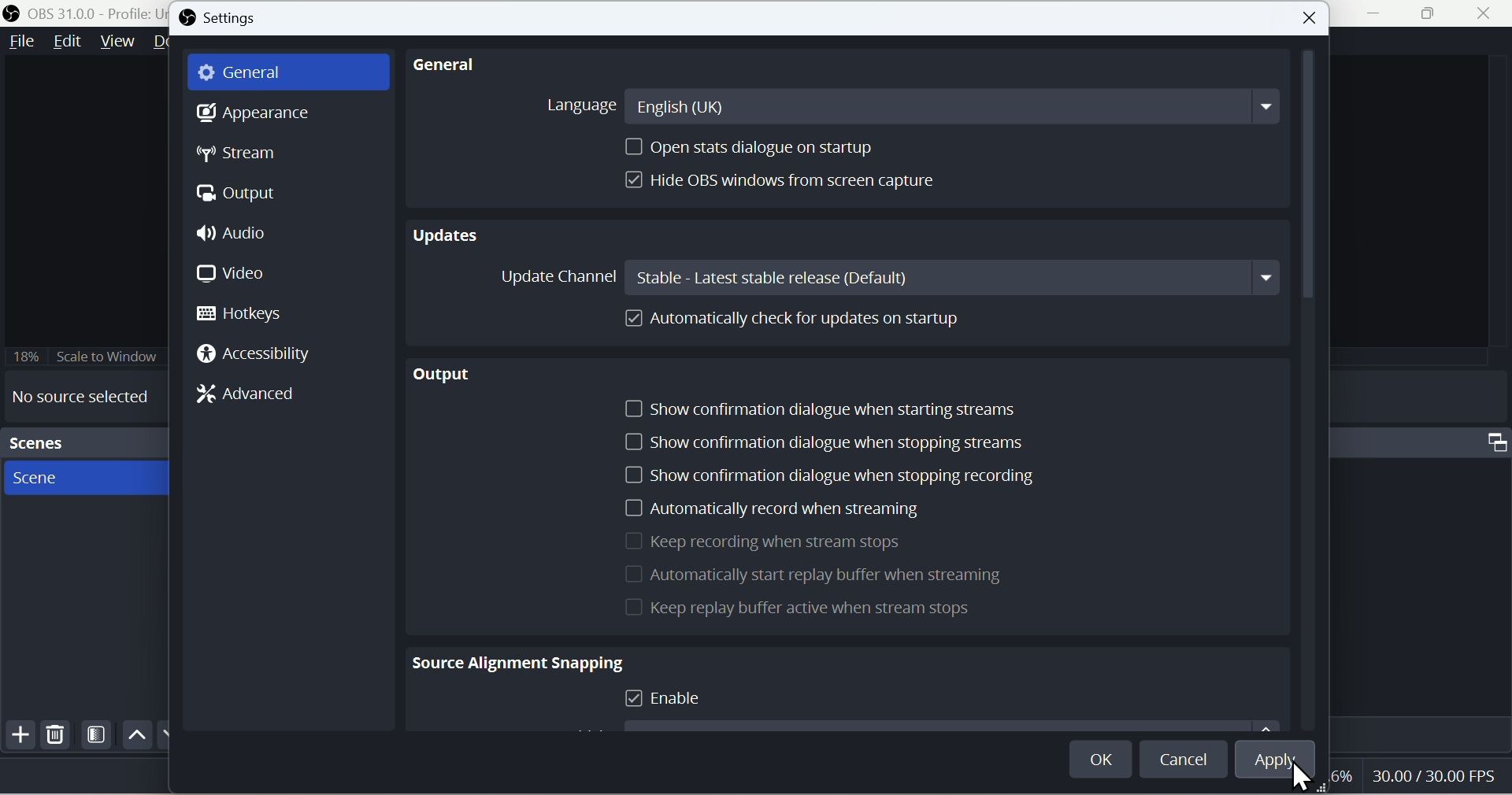 Image resolution: width=1512 pixels, height=795 pixels. I want to click on Cancel, so click(1184, 761).